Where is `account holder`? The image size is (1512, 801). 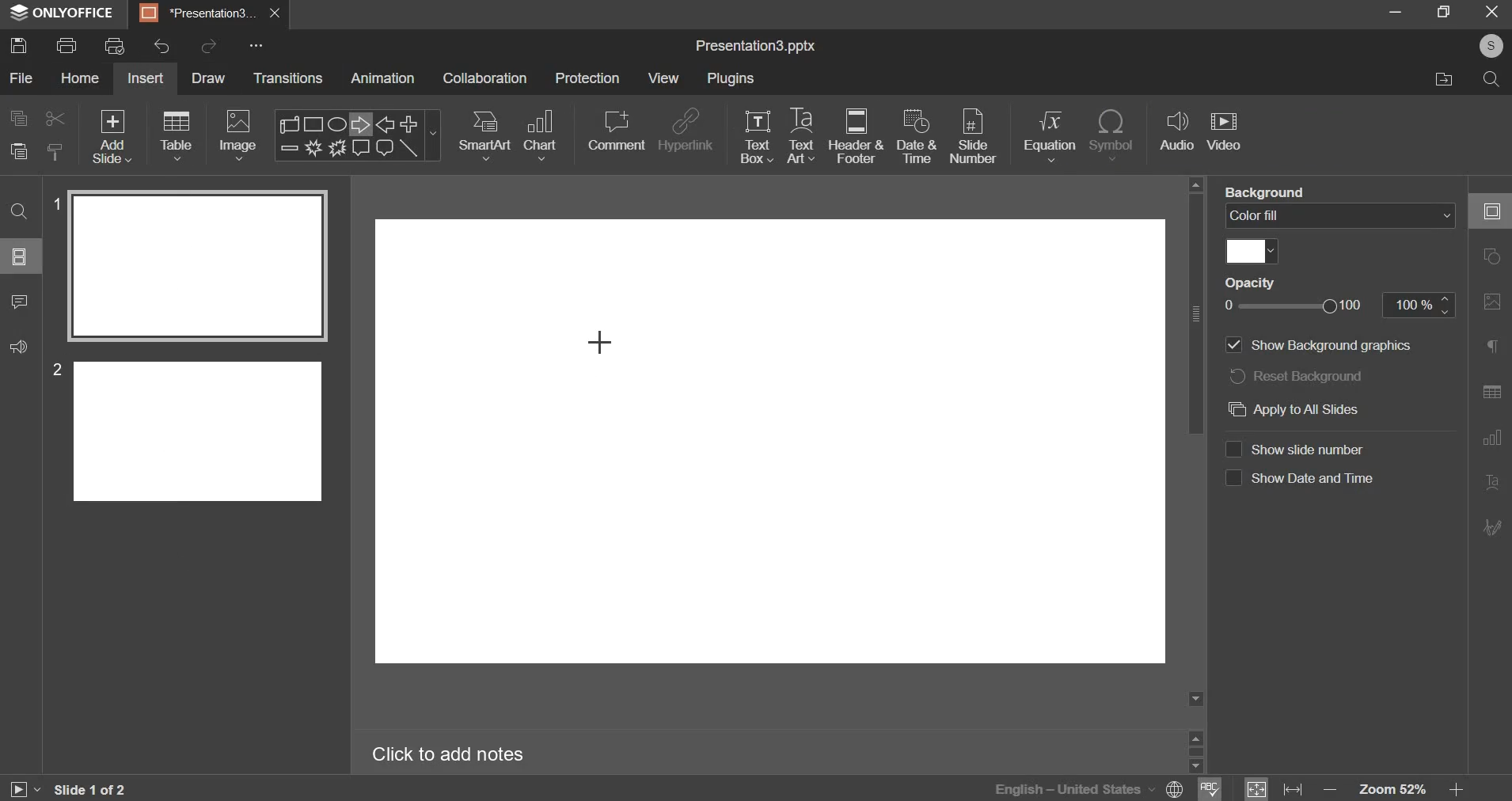 account holder is located at coordinates (1488, 46).